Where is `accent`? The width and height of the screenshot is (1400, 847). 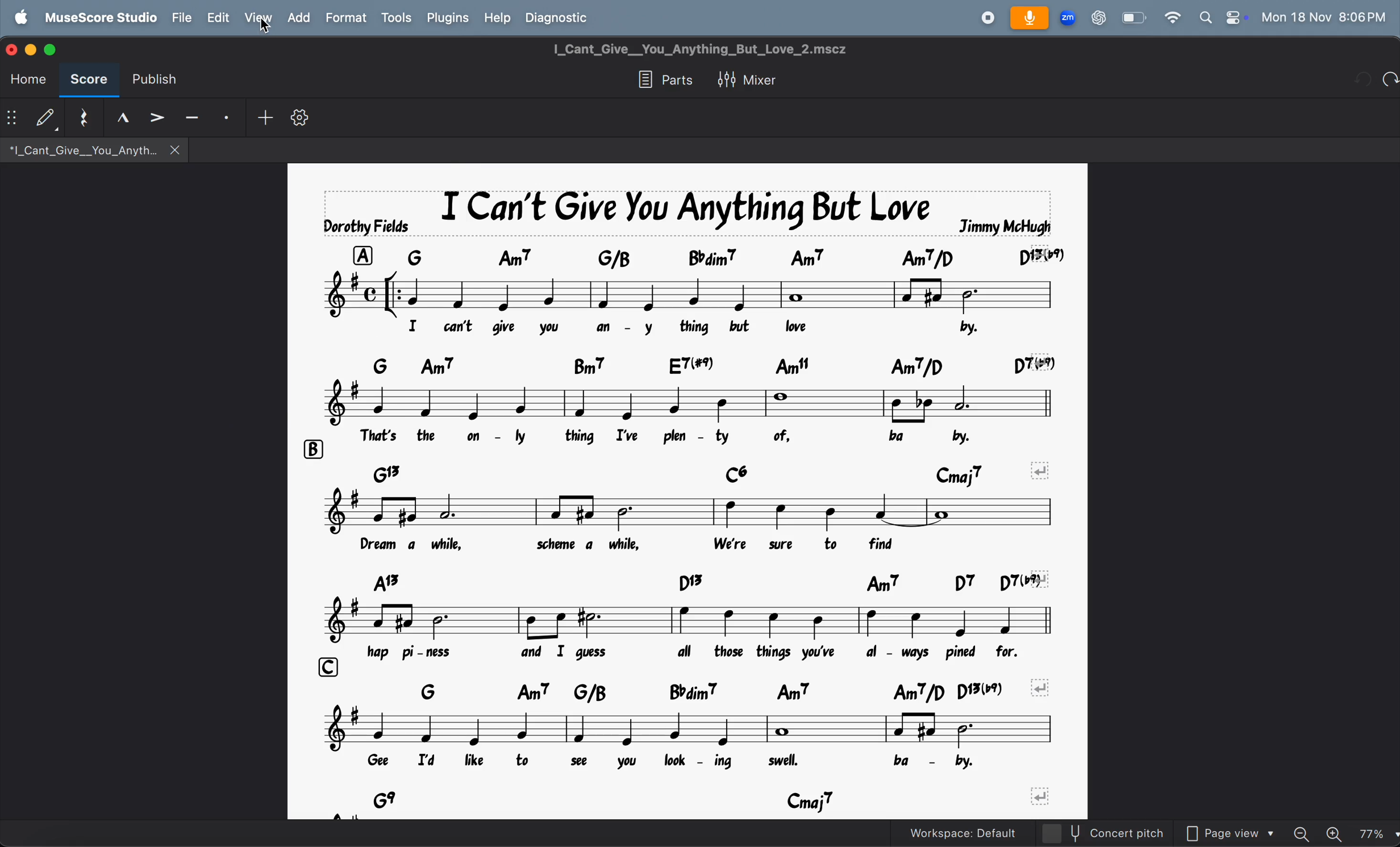 accent is located at coordinates (158, 114).